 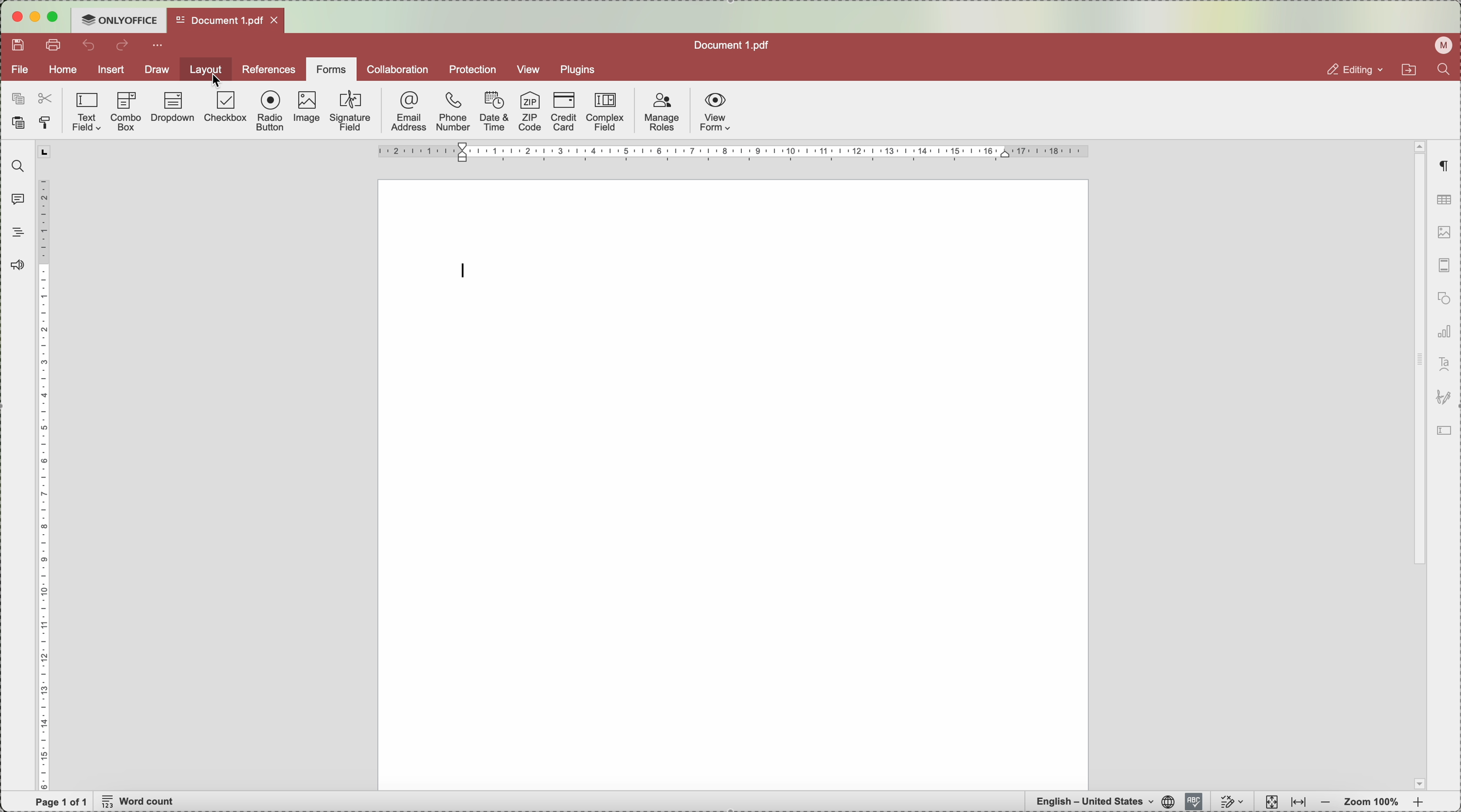 What do you see at coordinates (493, 111) in the screenshot?
I see `date and time` at bounding box center [493, 111].